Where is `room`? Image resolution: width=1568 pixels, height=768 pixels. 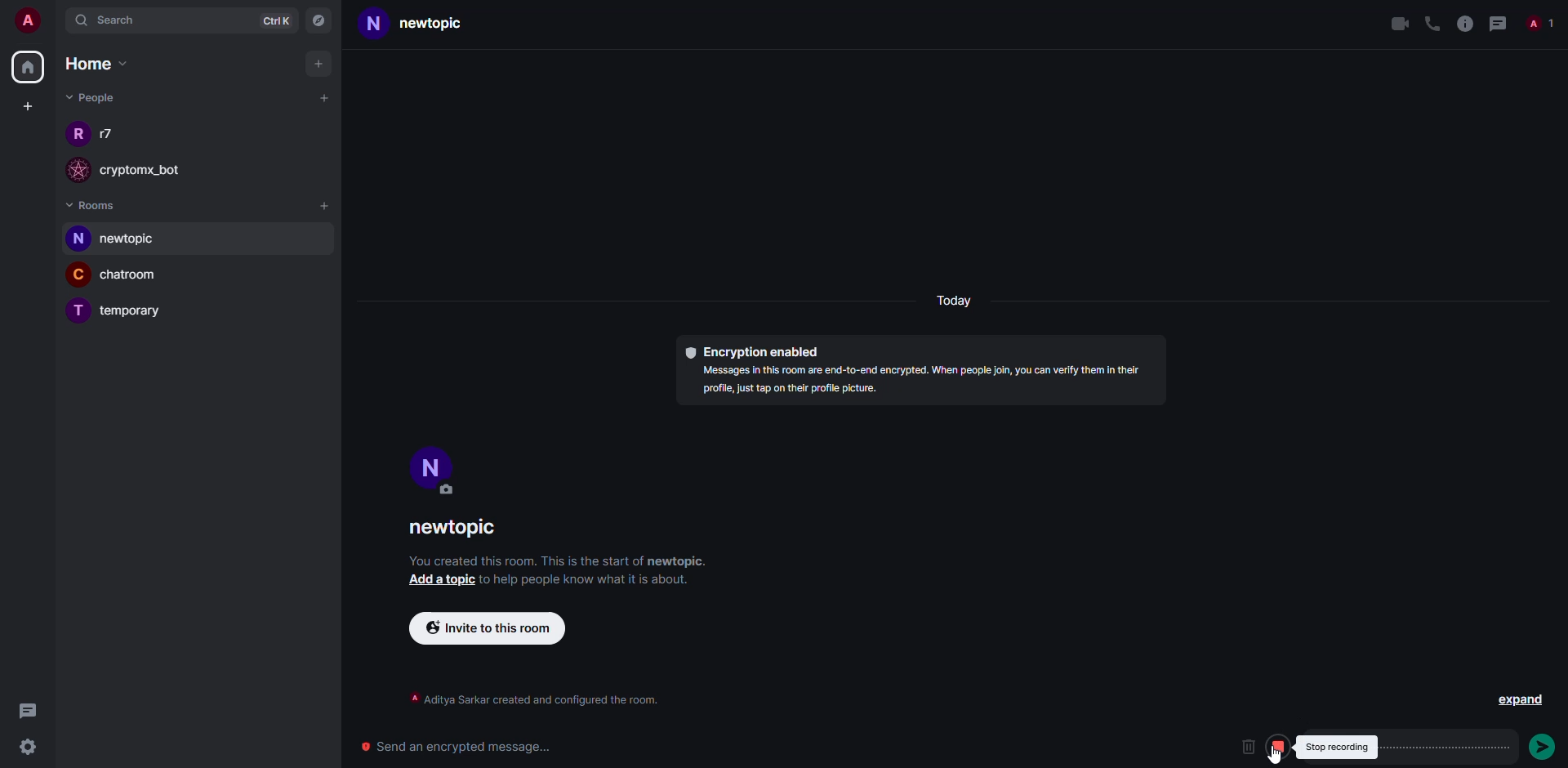
room is located at coordinates (454, 530).